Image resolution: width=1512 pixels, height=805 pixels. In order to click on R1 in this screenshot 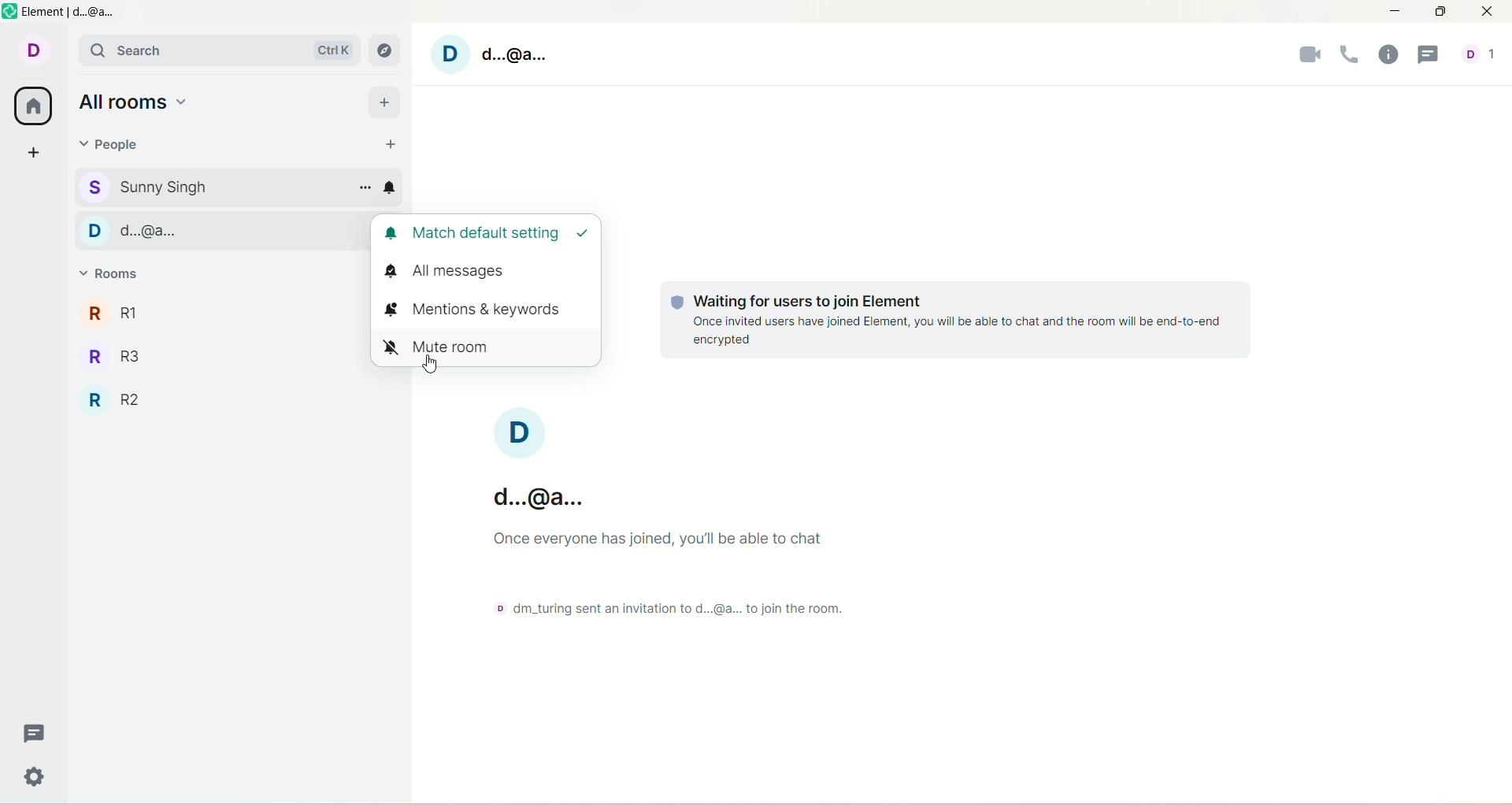, I will do `click(217, 310)`.